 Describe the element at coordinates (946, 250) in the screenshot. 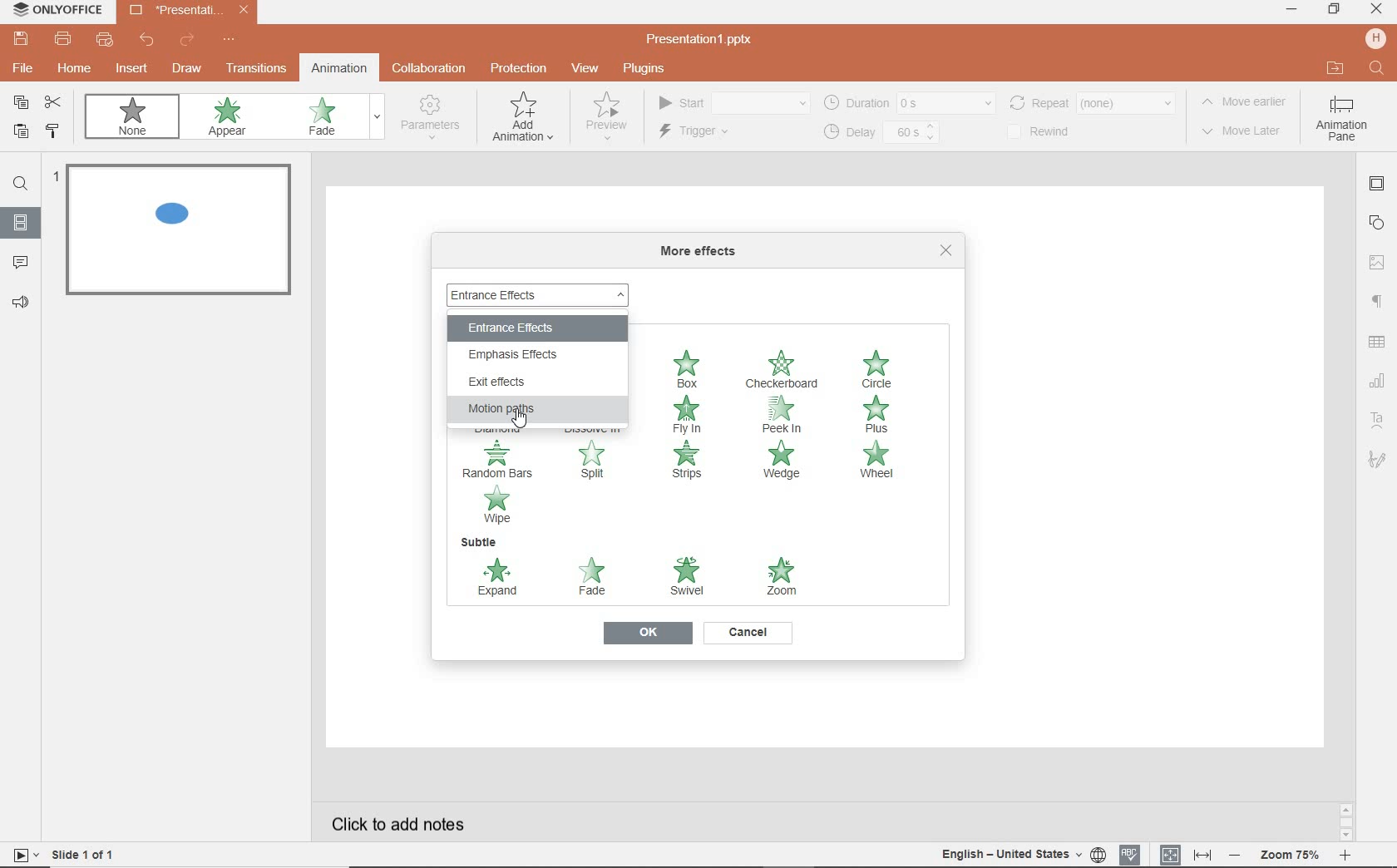

I see `CLOSE` at that location.